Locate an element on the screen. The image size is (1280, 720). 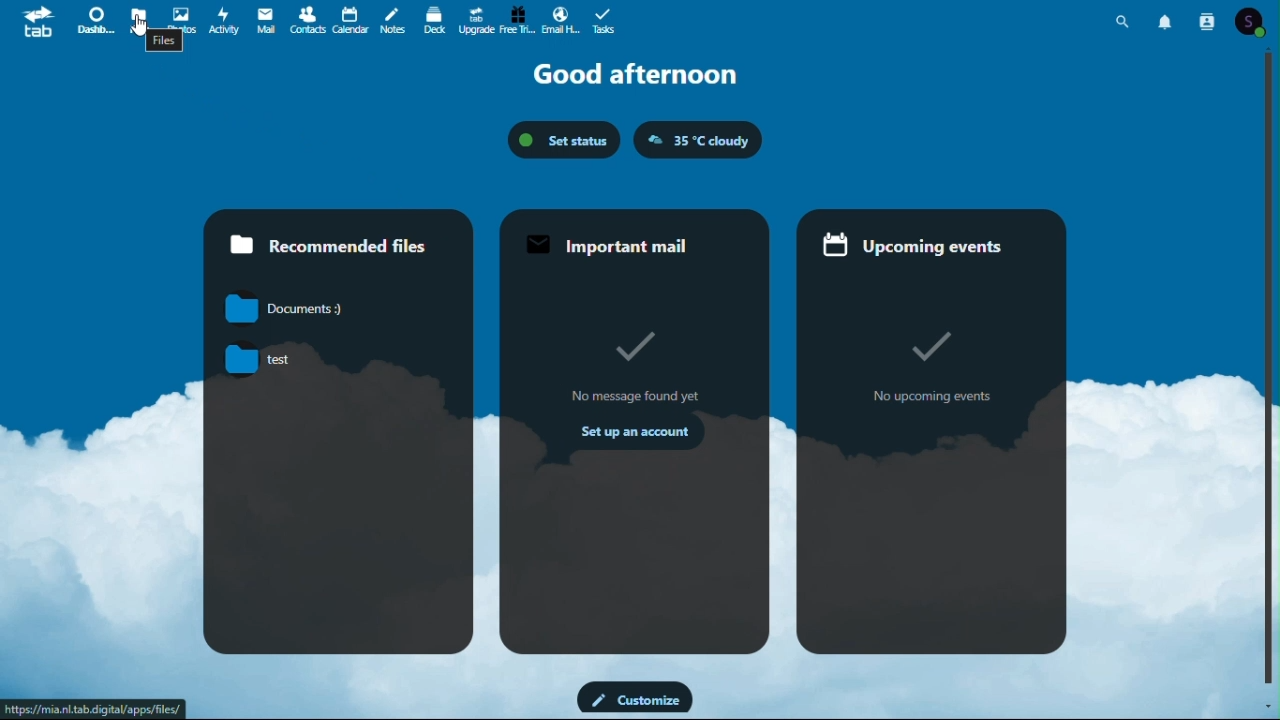
customize is located at coordinates (632, 698).